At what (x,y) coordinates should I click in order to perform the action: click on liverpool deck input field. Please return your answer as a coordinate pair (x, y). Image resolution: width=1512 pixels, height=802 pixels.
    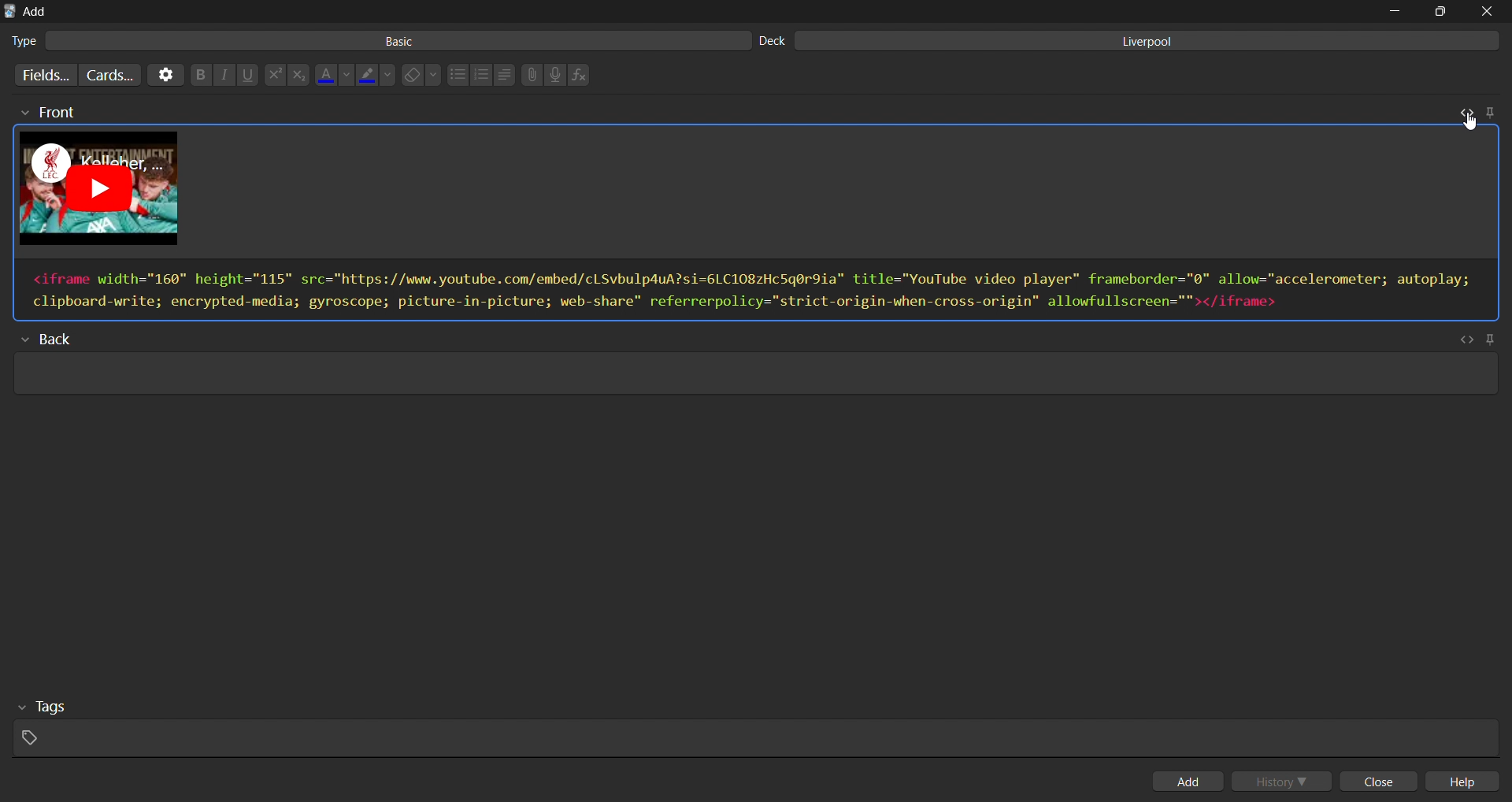
    Looking at the image, I should click on (1132, 41).